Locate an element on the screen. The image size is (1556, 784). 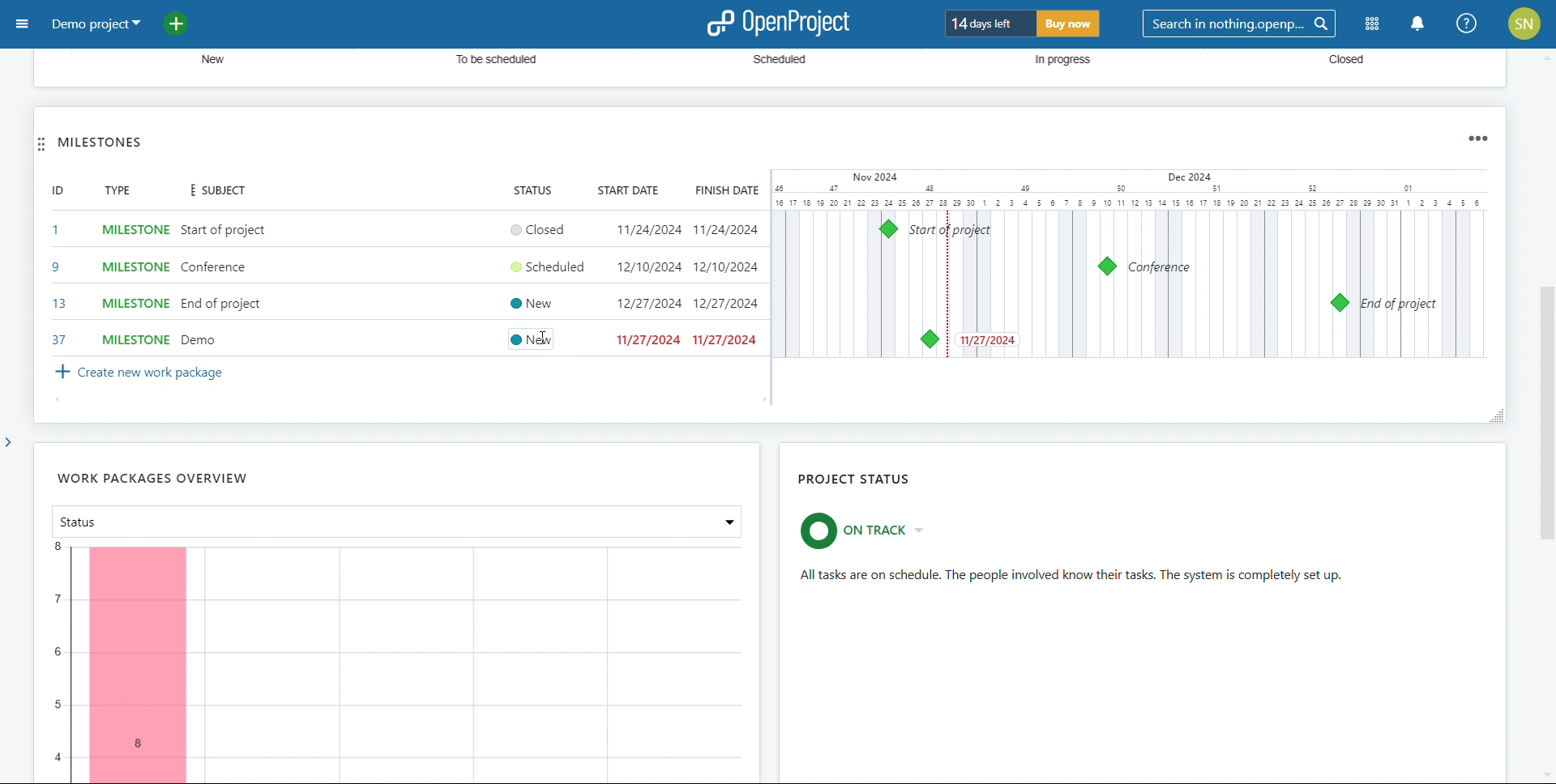
work packages overview is located at coordinates (151, 479).